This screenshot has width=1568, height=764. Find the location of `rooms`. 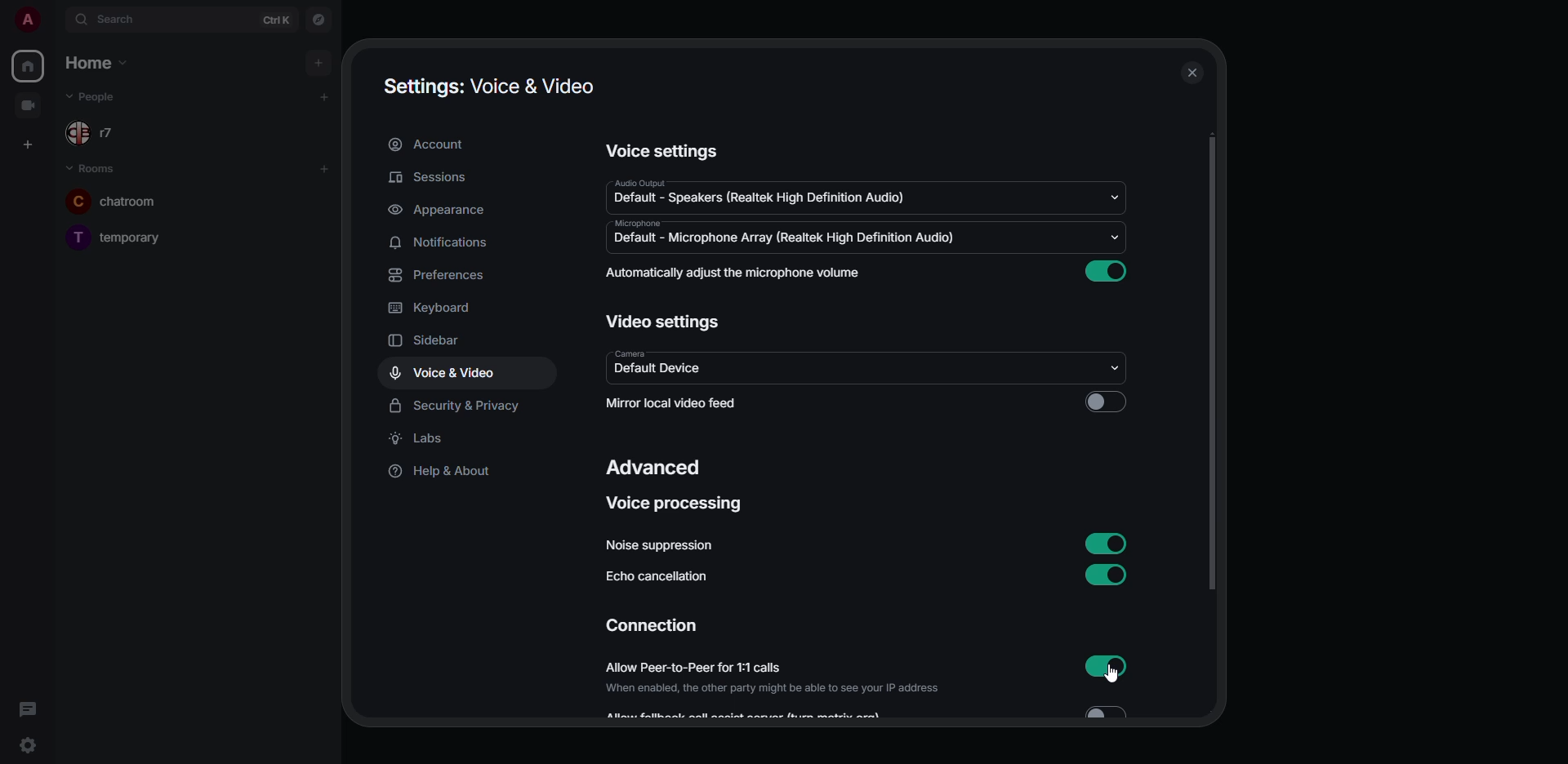

rooms is located at coordinates (96, 169).